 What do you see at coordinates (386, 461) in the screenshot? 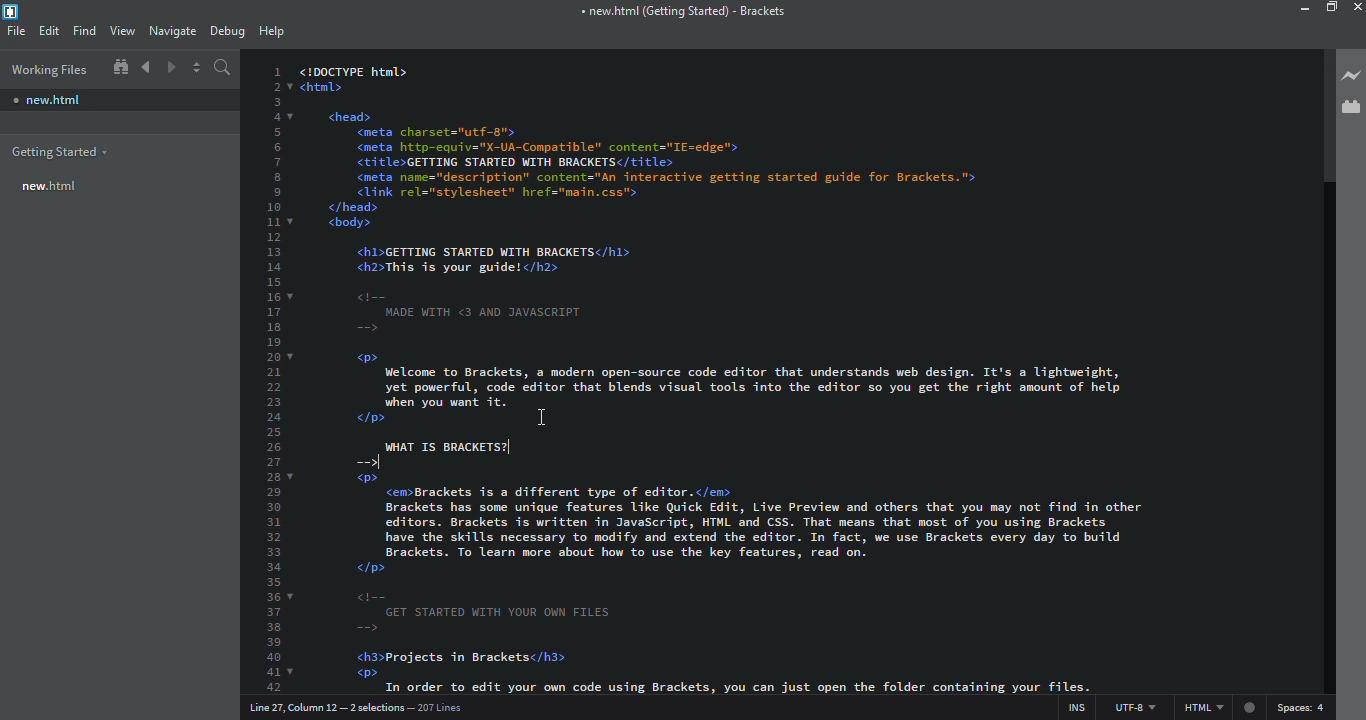
I see `cursor down` at bounding box center [386, 461].